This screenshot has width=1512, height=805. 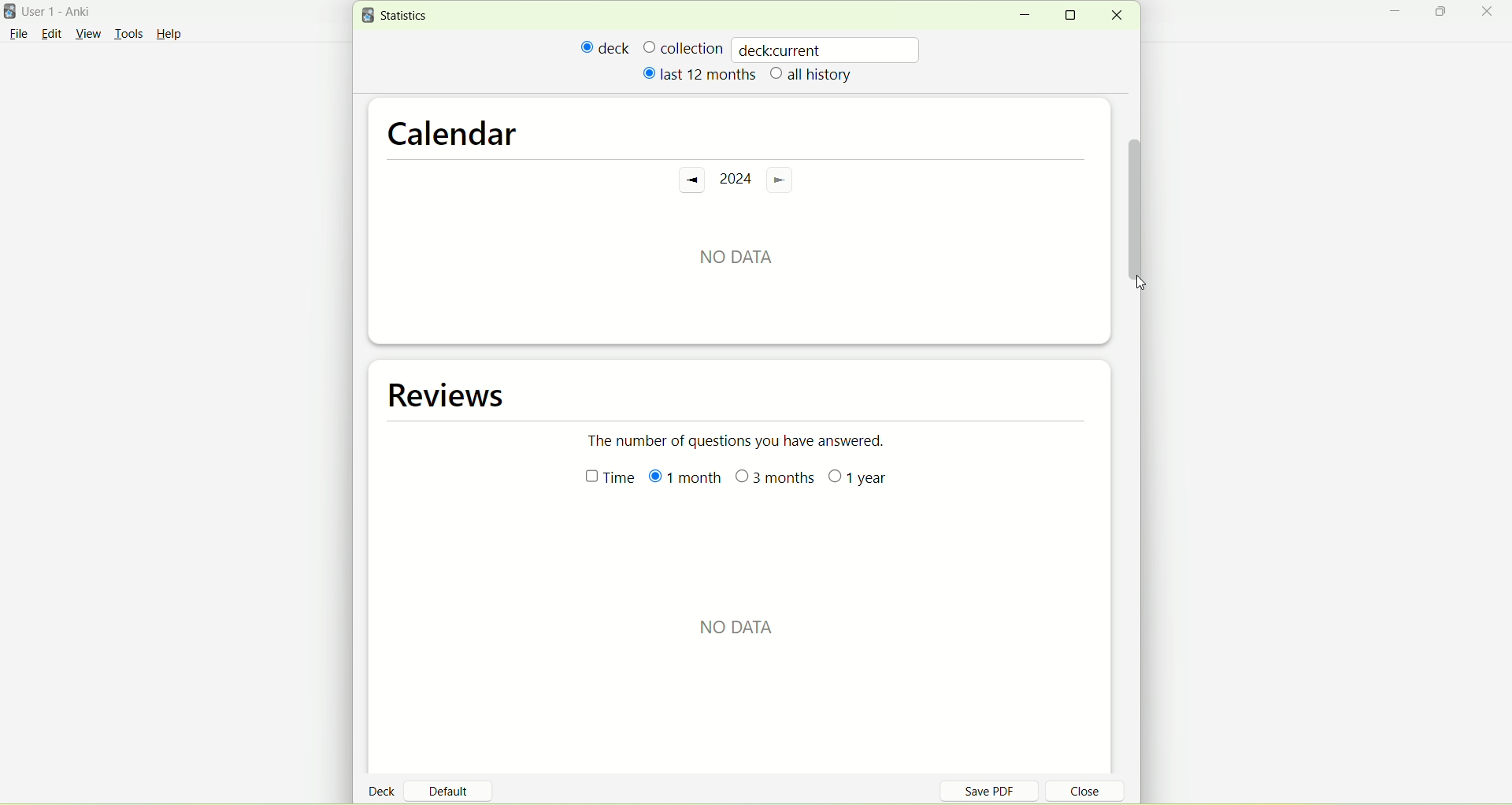 I want to click on collection, so click(x=683, y=47).